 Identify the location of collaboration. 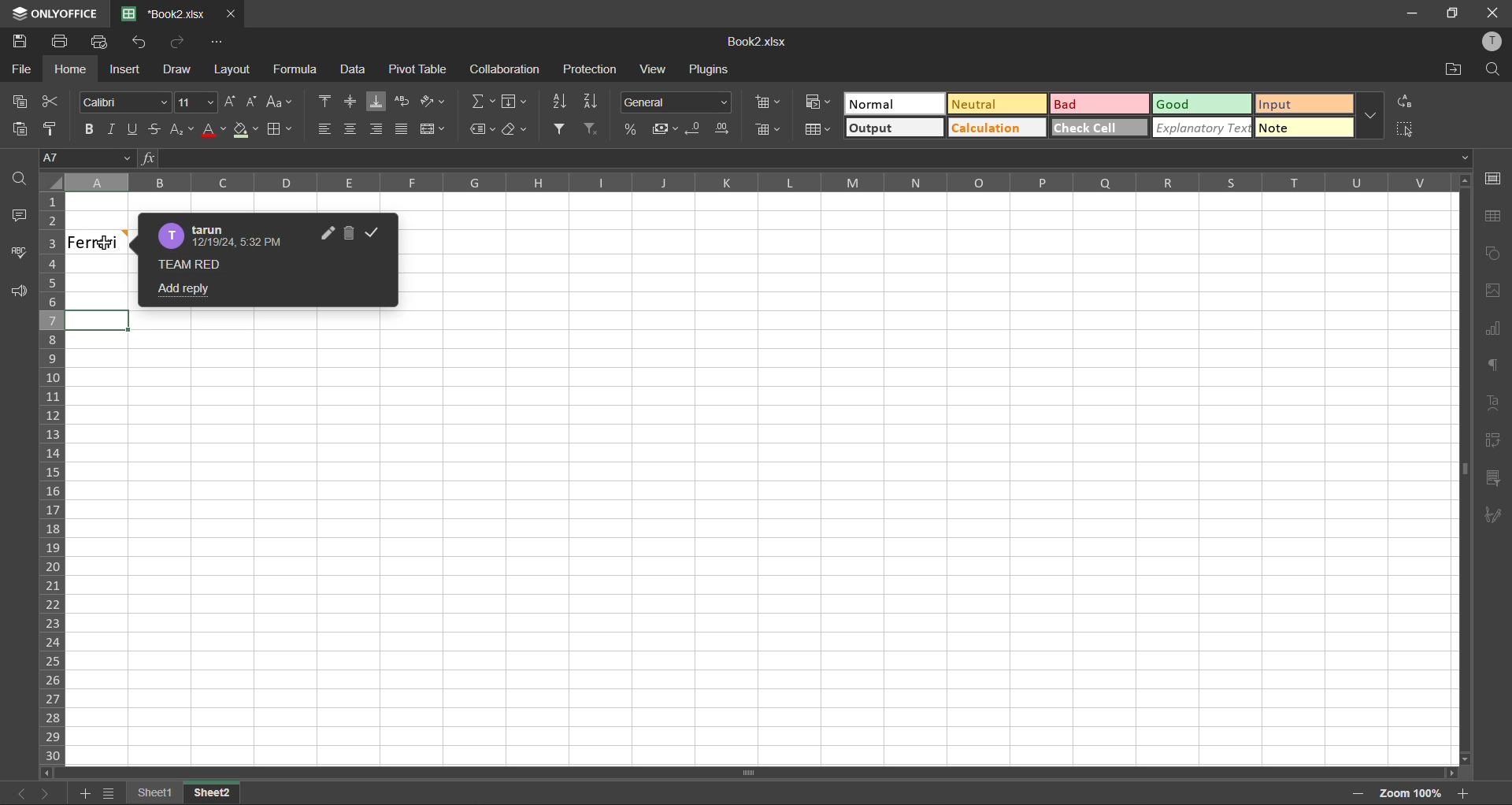
(509, 72).